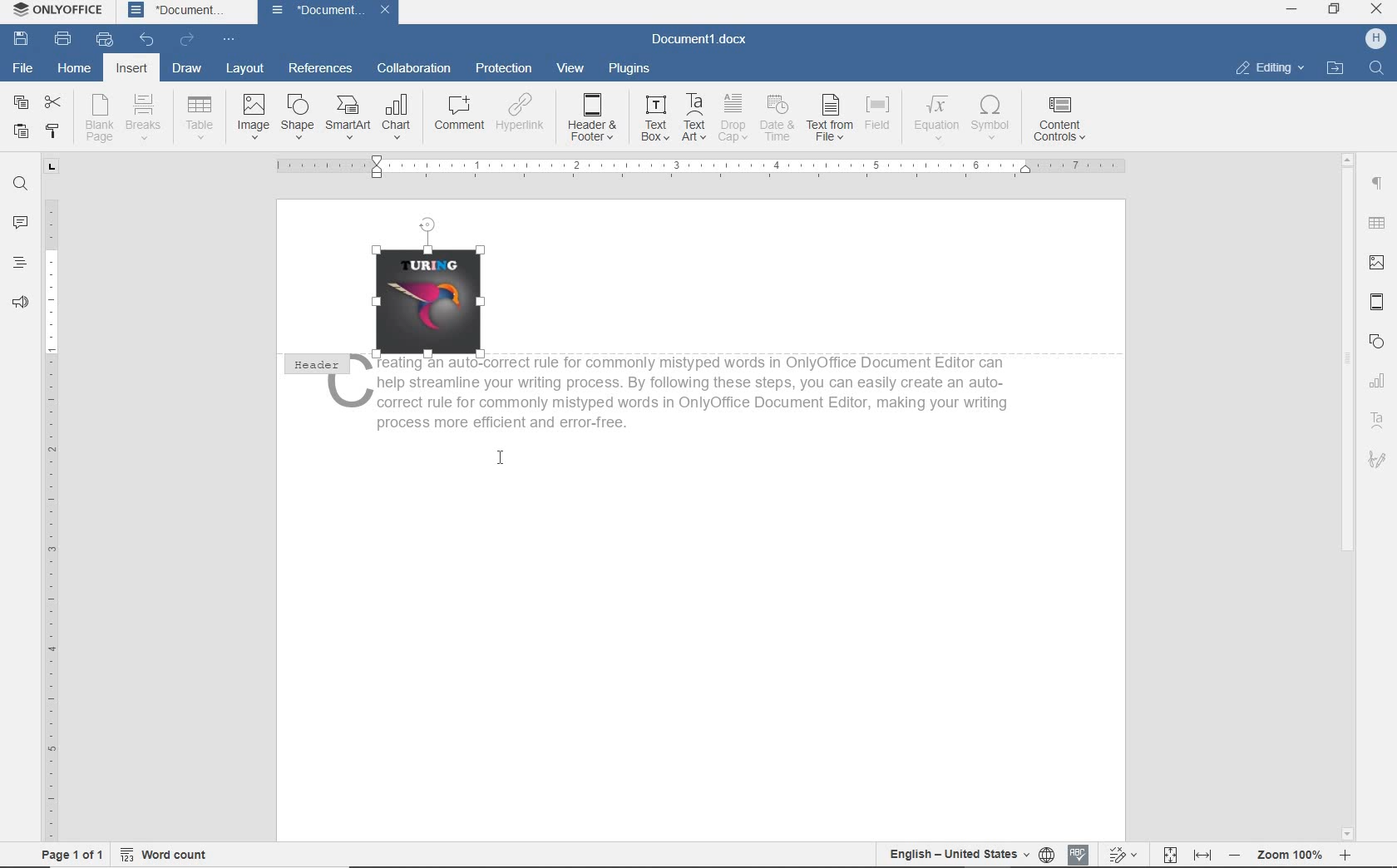 The height and width of the screenshot is (868, 1397). Describe the element at coordinates (225, 38) in the screenshot. I see `CUSTOMIZE QUICK ACCESS TOOLBAR` at that location.